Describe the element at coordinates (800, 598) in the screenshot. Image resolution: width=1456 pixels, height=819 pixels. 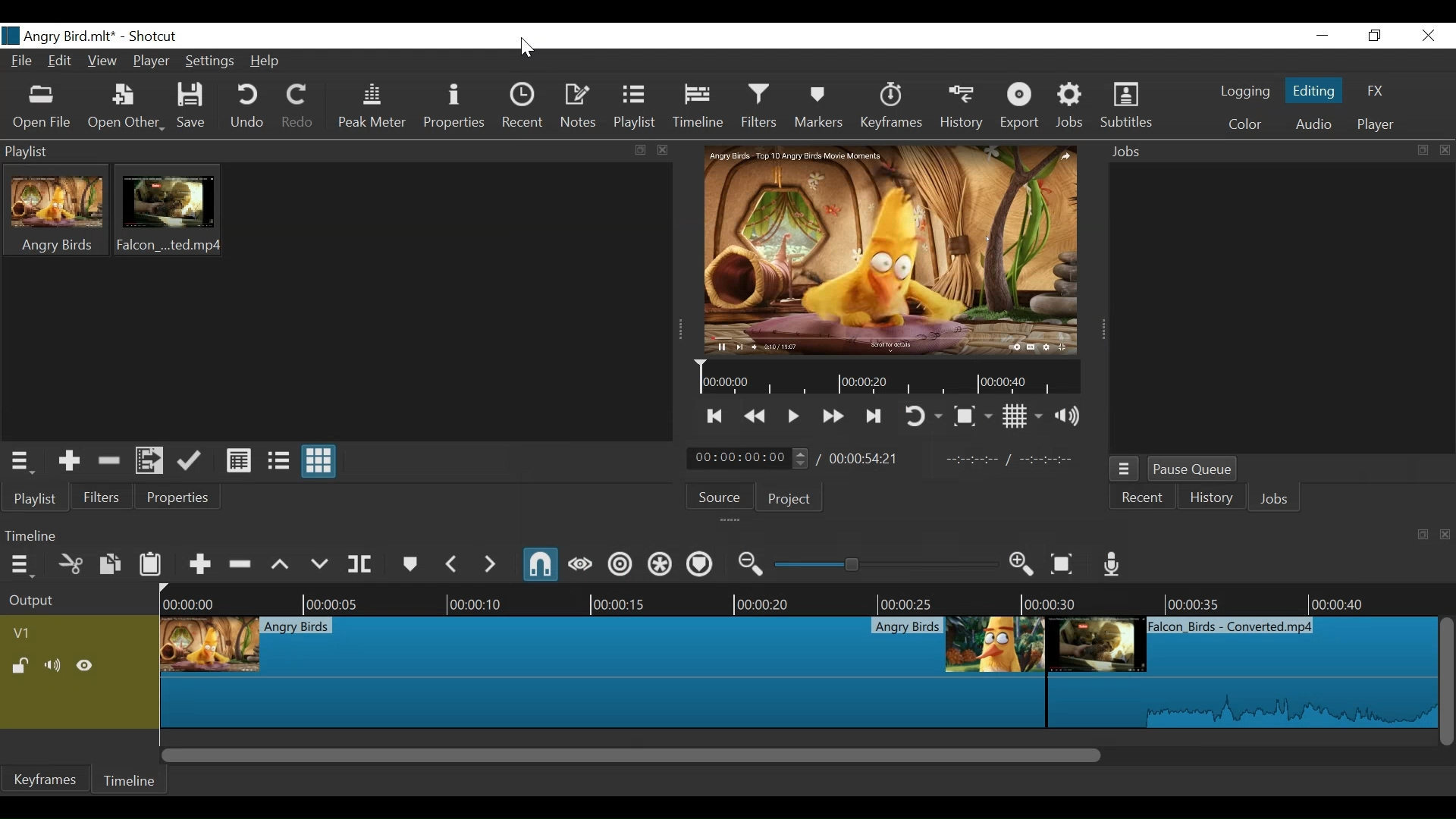
I see `Timeline` at that location.